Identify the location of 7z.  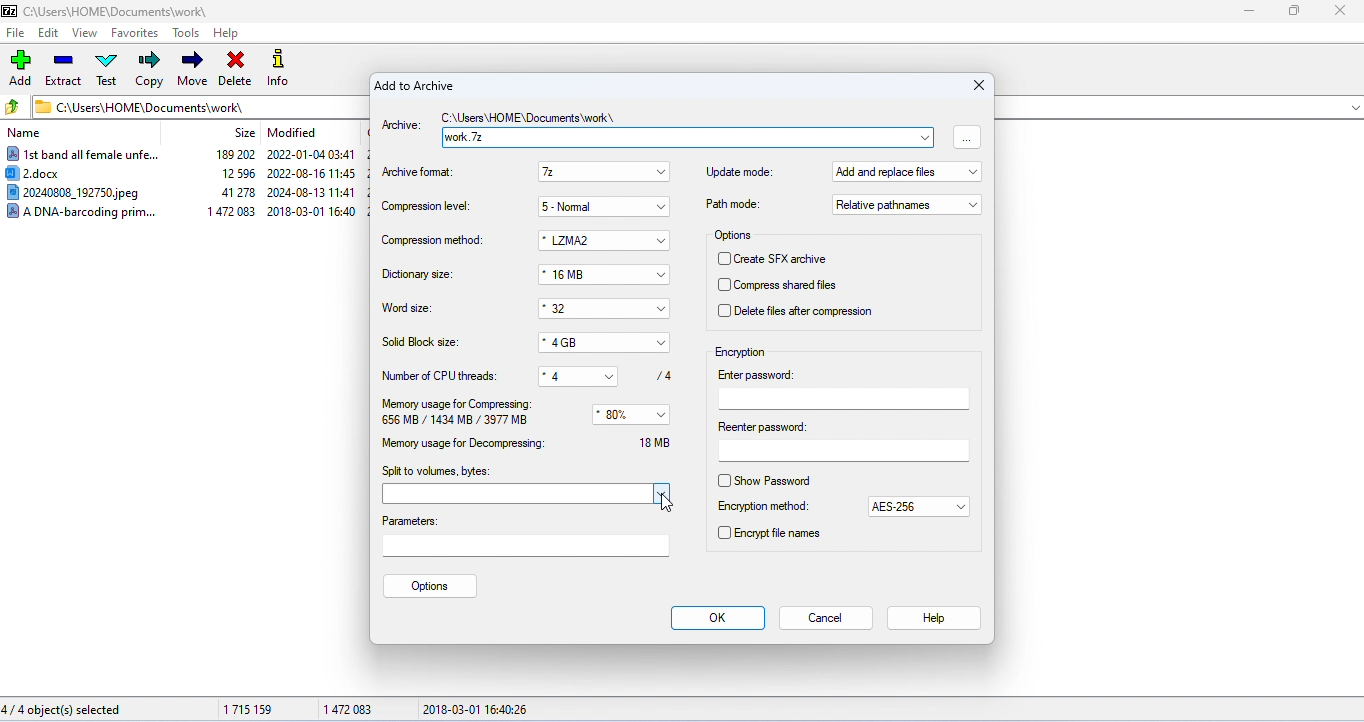
(591, 172).